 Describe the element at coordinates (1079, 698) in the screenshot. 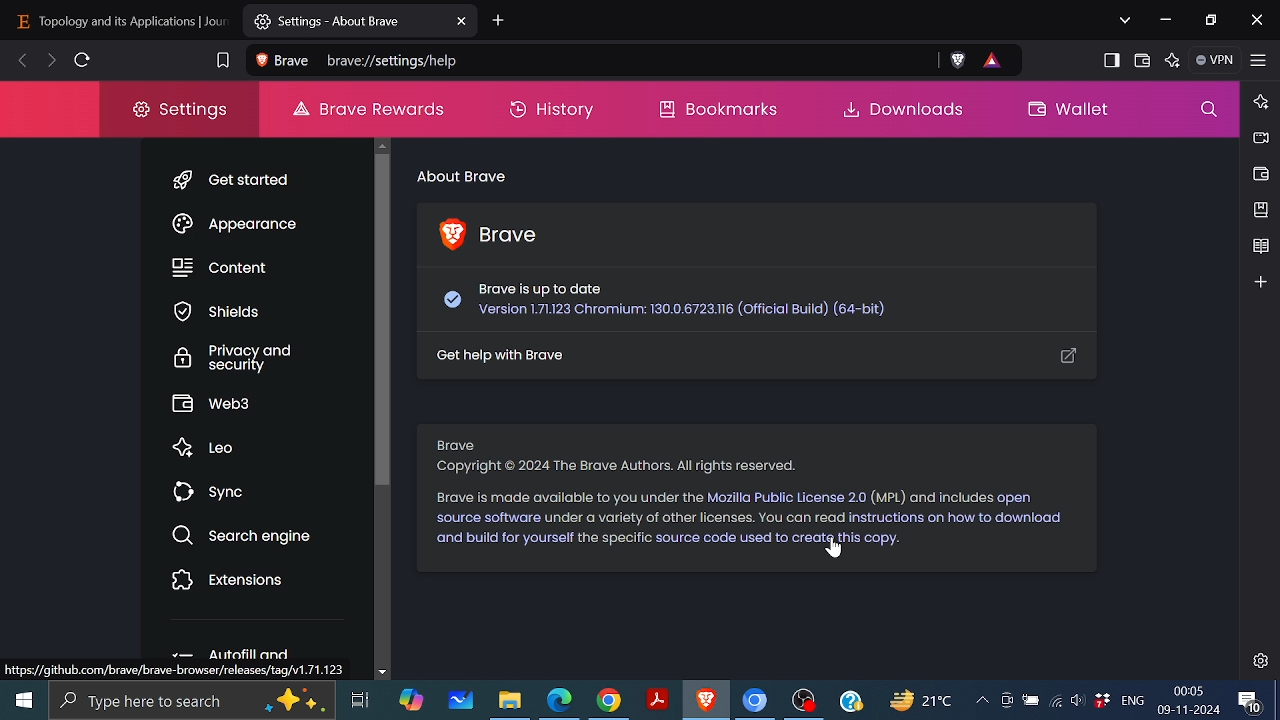

I see `Speakers` at that location.